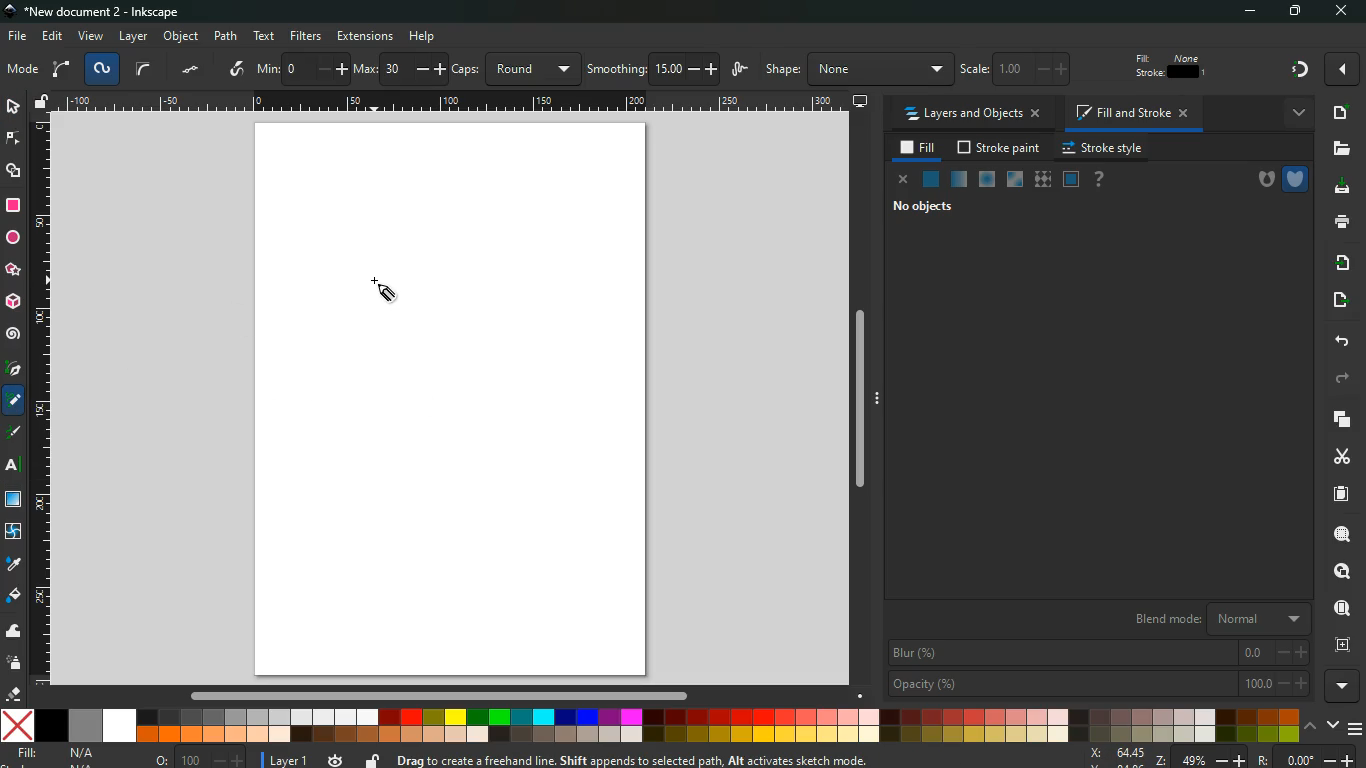  I want to click on shapes, so click(15, 173).